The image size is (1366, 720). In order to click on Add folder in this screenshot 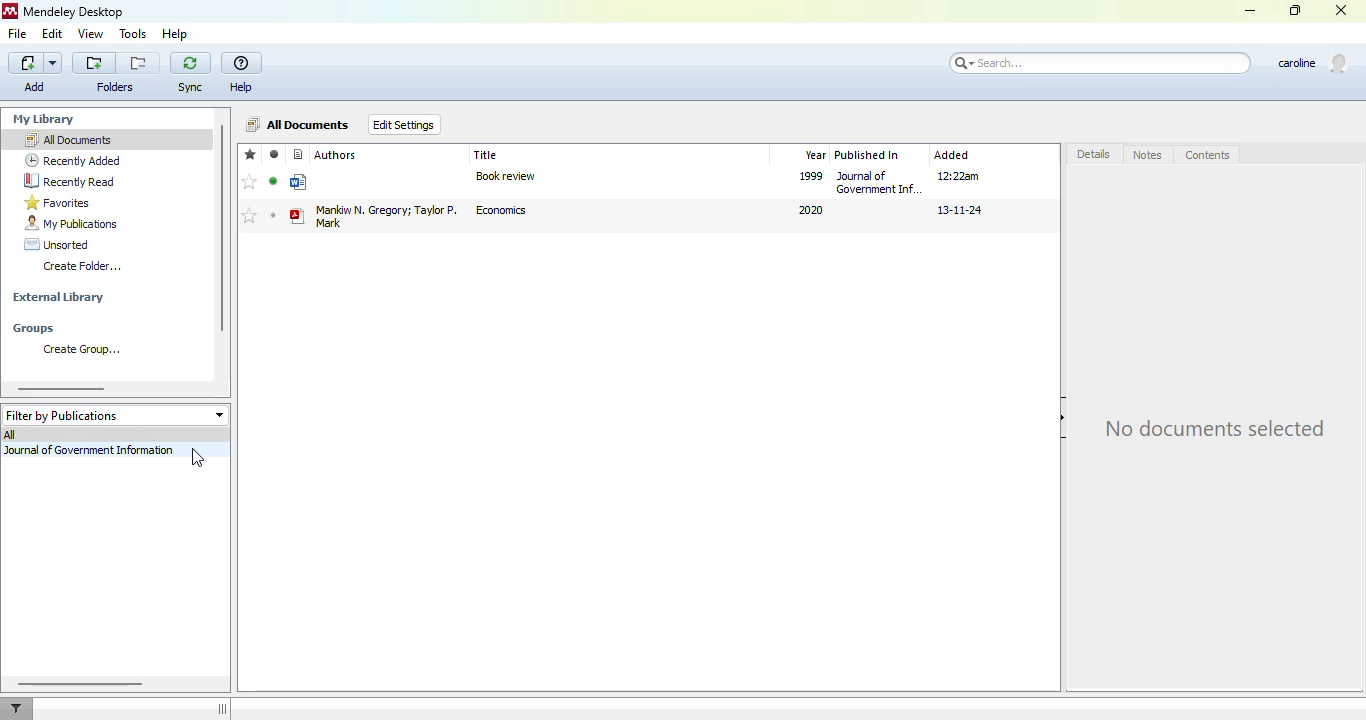, I will do `click(94, 63)`.